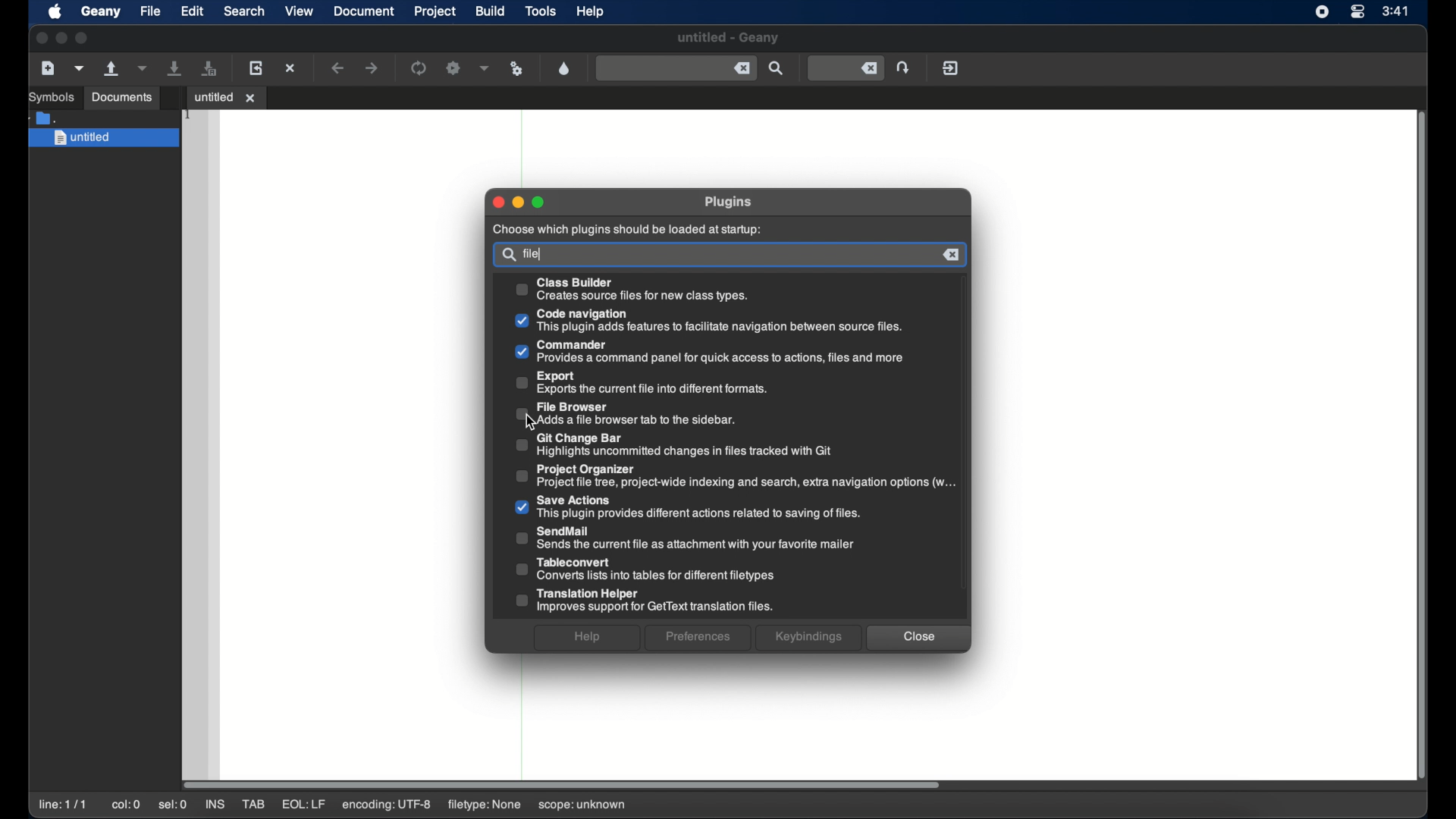 Image resolution: width=1456 pixels, height=819 pixels. What do you see at coordinates (173, 805) in the screenshot?
I see `sel: 0` at bounding box center [173, 805].